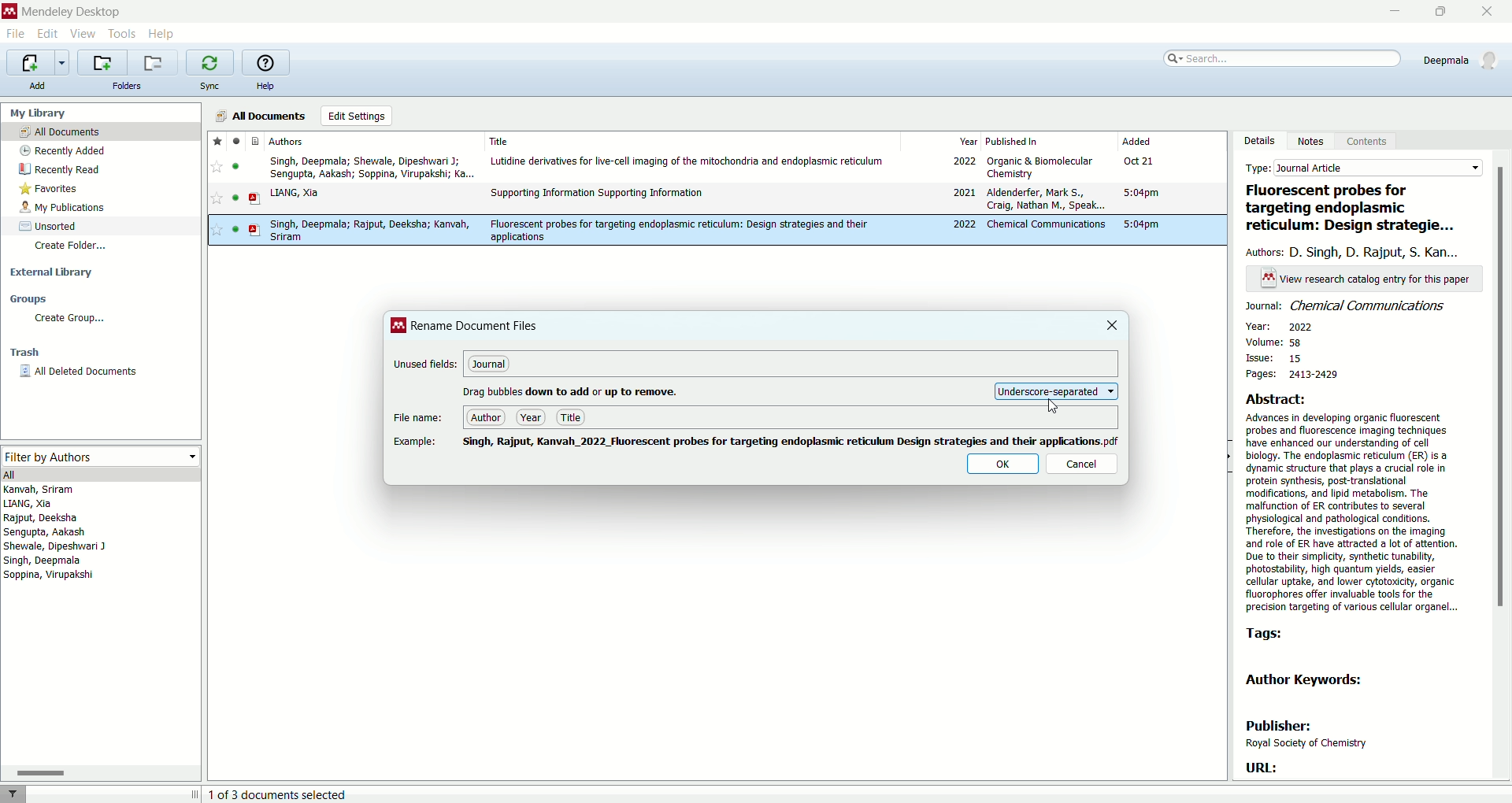 This screenshot has height=803, width=1512. Describe the element at coordinates (48, 272) in the screenshot. I see `external library` at that location.